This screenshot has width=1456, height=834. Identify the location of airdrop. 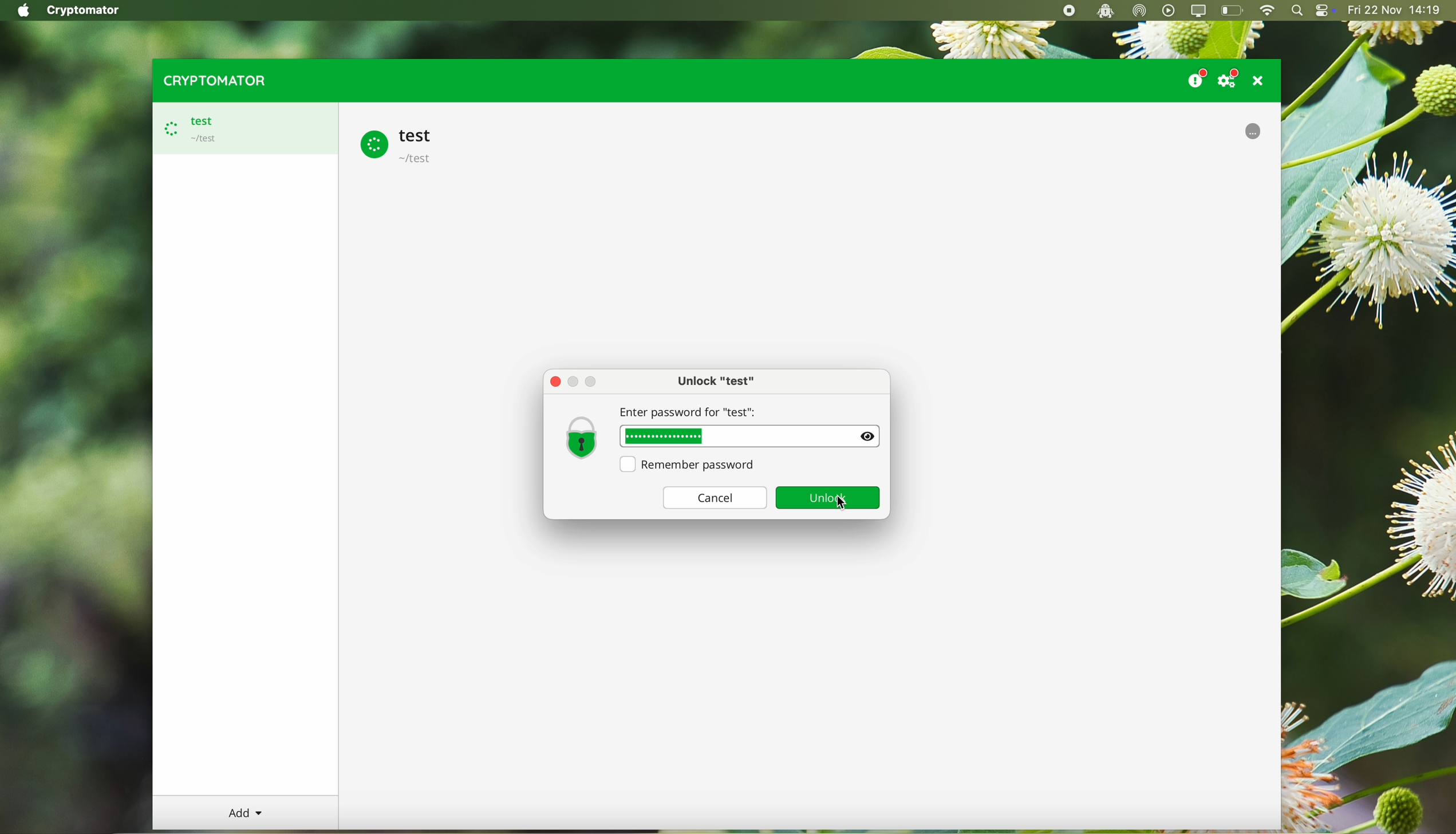
(1139, 11).